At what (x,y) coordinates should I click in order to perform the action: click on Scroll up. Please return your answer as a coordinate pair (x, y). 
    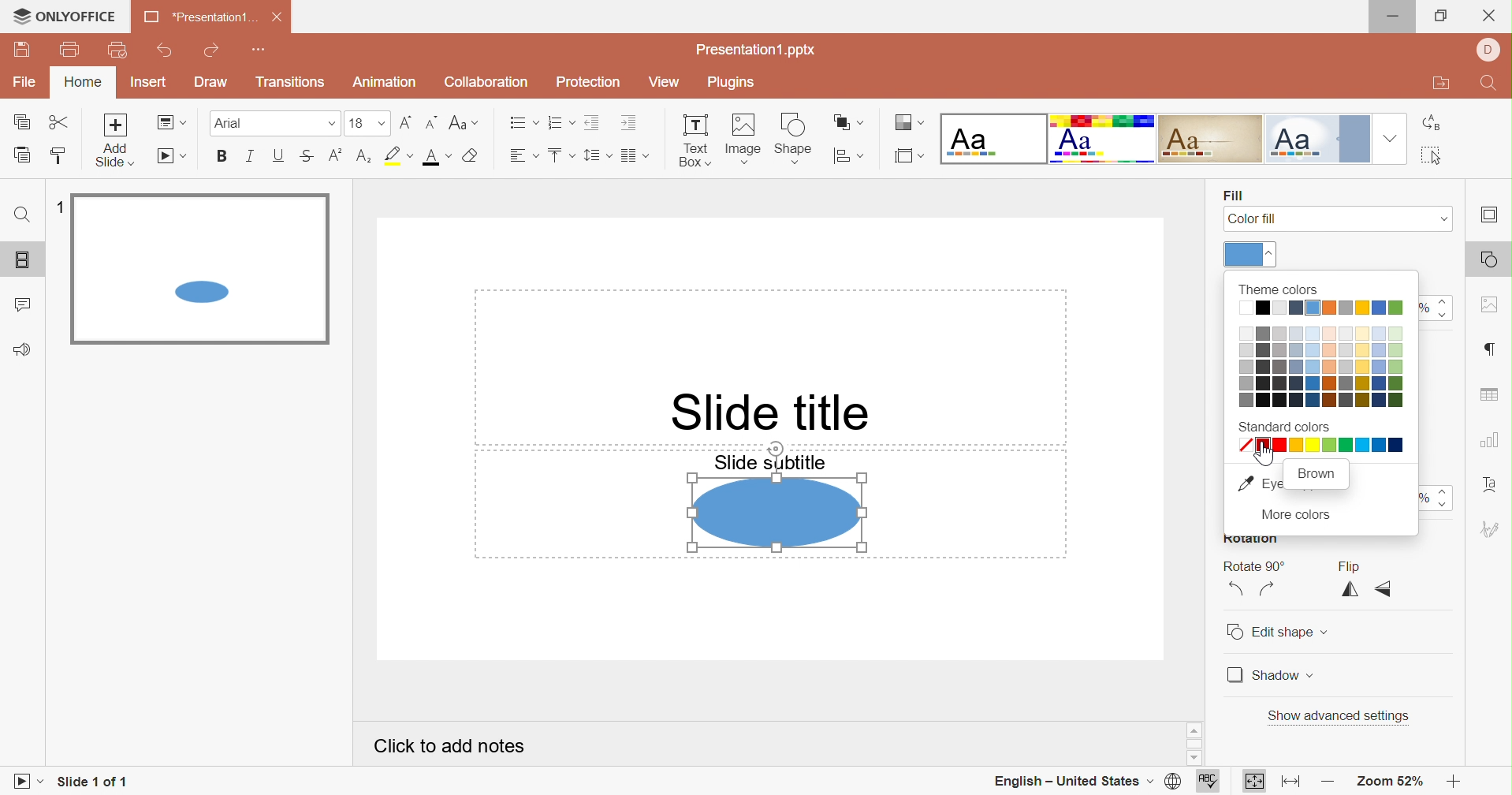
    Looking at the image, I should click on (1199, 729).